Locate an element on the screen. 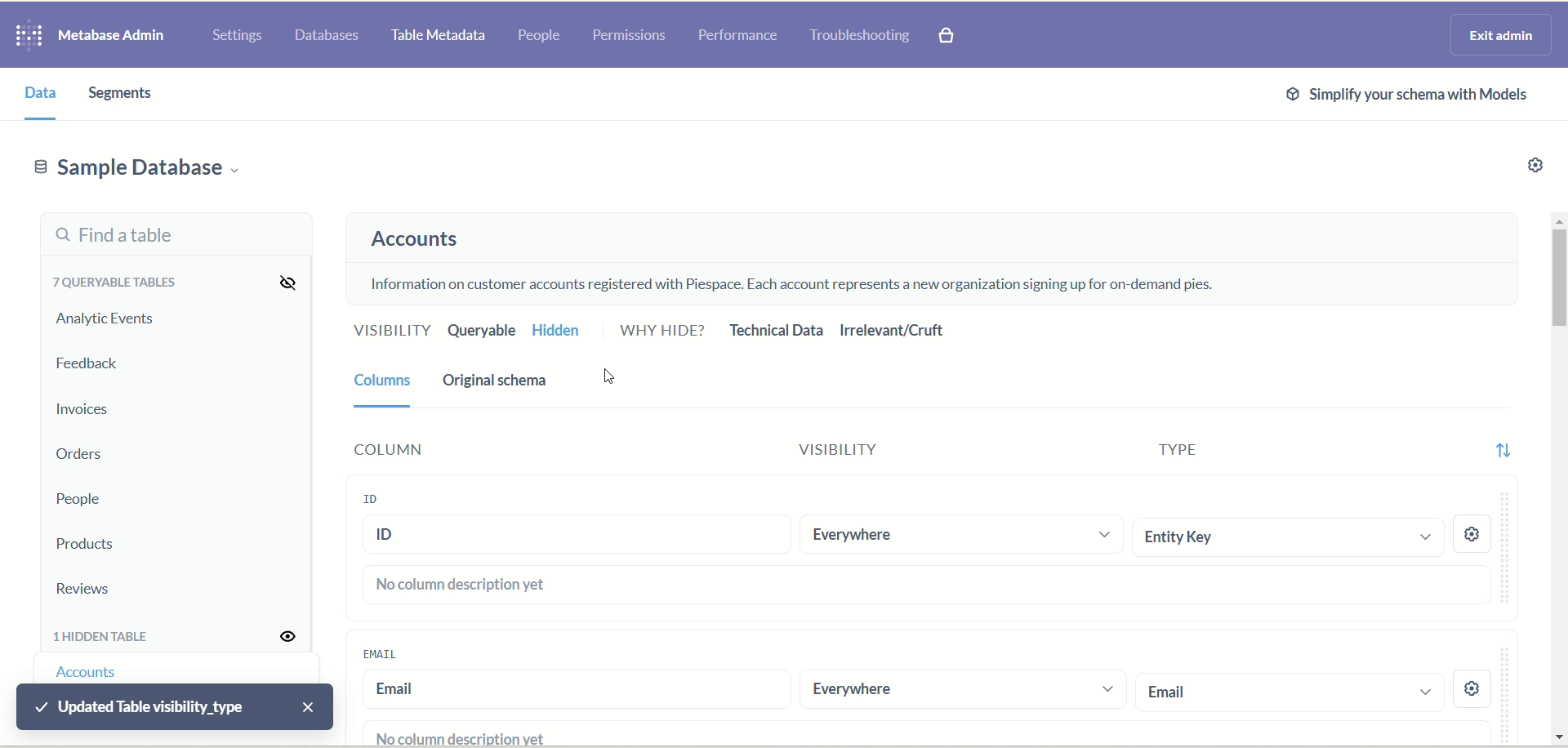 This screenshot has height=748, width=1568. exit admin is located at coordinates (1501, 33).